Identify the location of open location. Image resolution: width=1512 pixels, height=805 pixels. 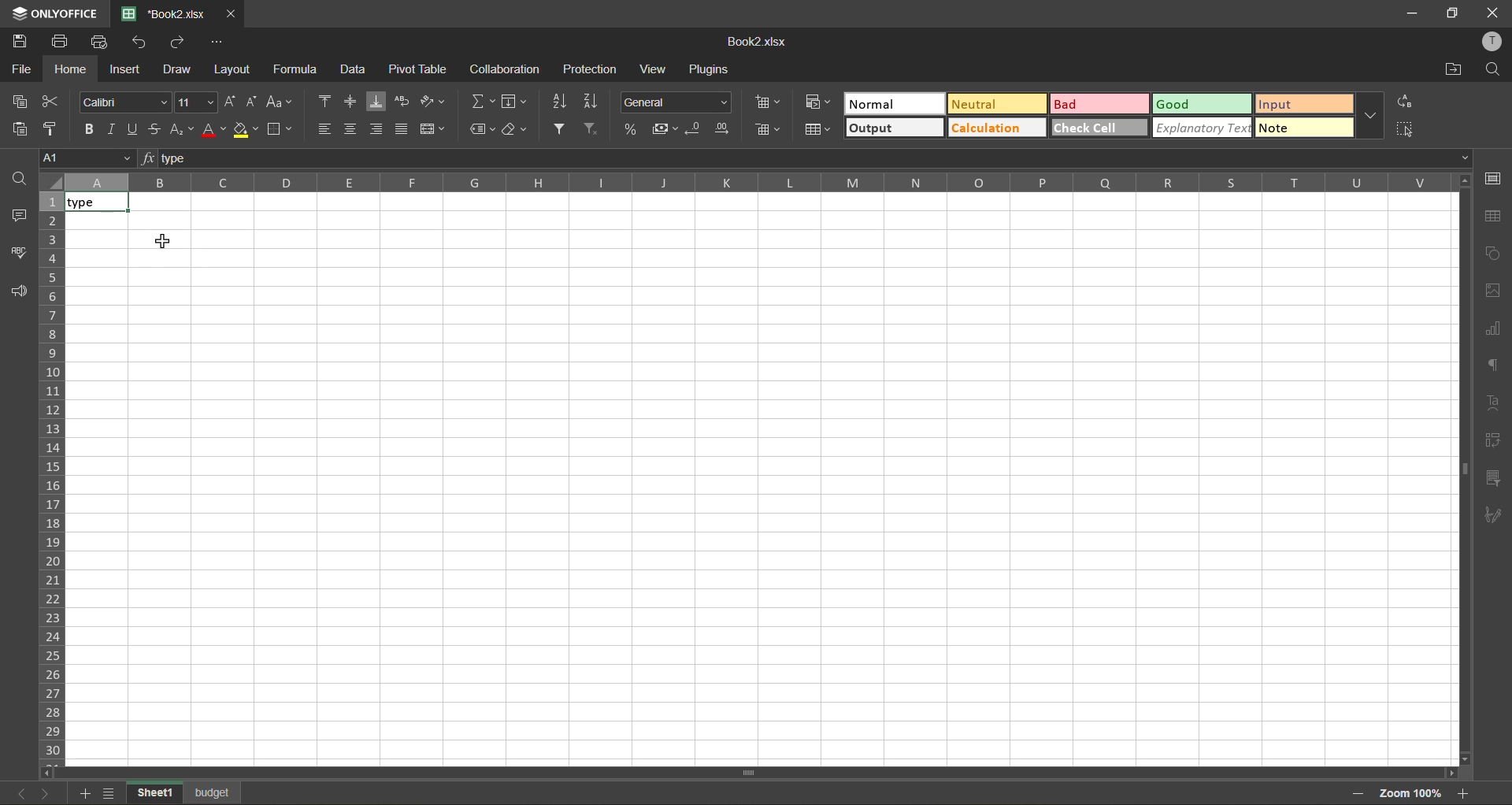
(1450, 72).